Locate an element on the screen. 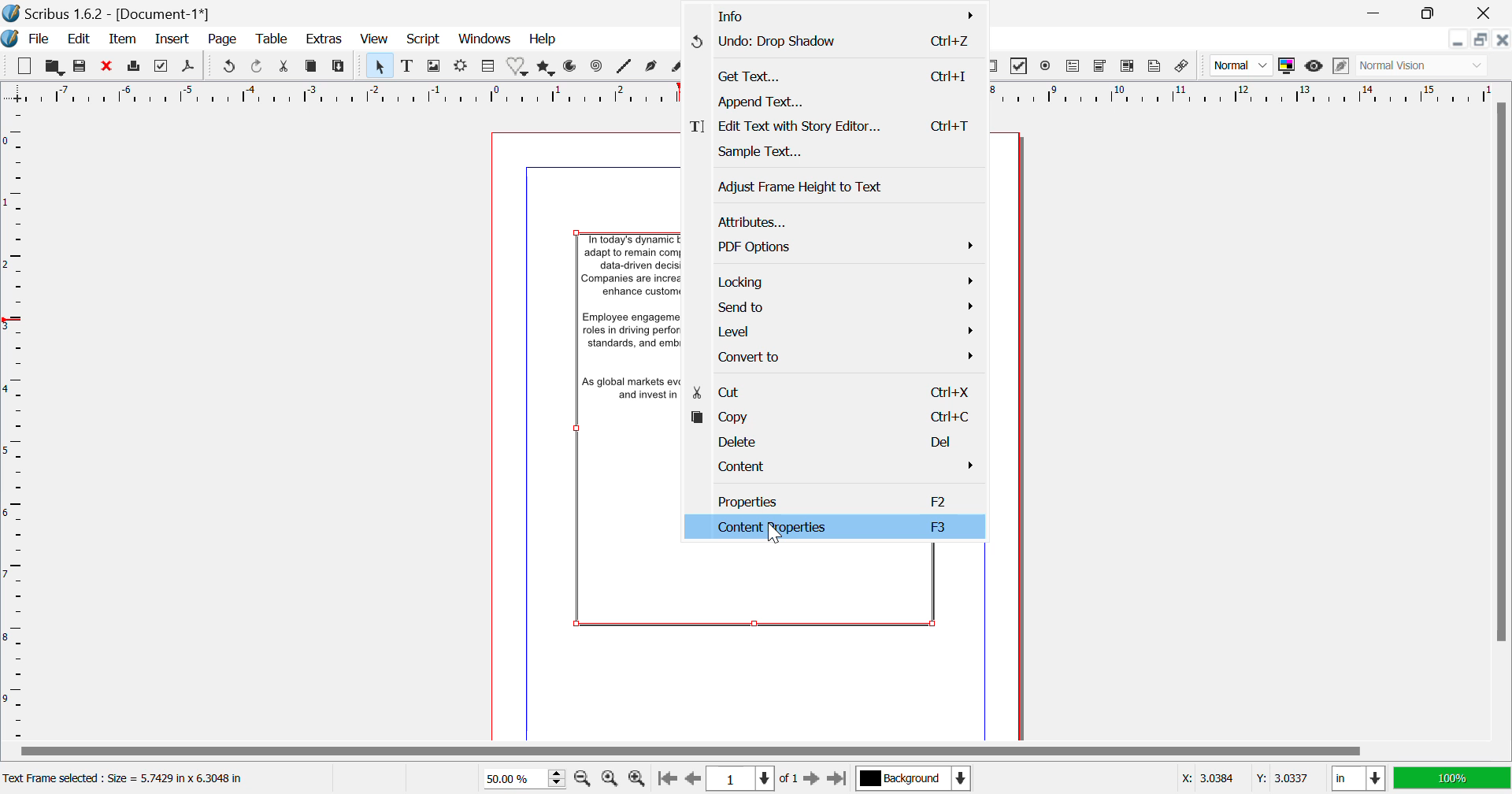  Arcs is located at coordinates (572, 67).